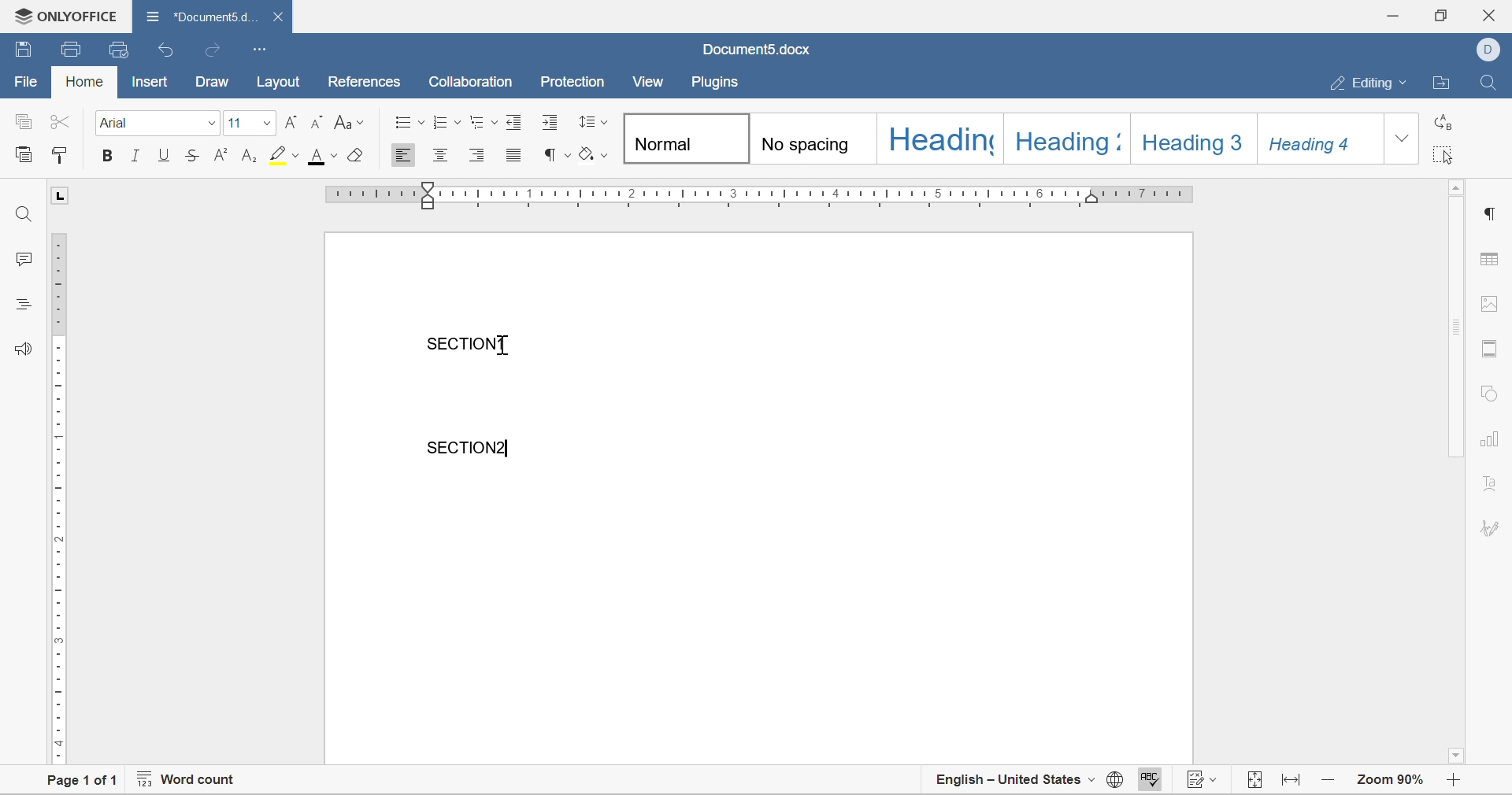 The width and height of the screenshot is (1512, 795). I want to click on save, so click(24, 47).